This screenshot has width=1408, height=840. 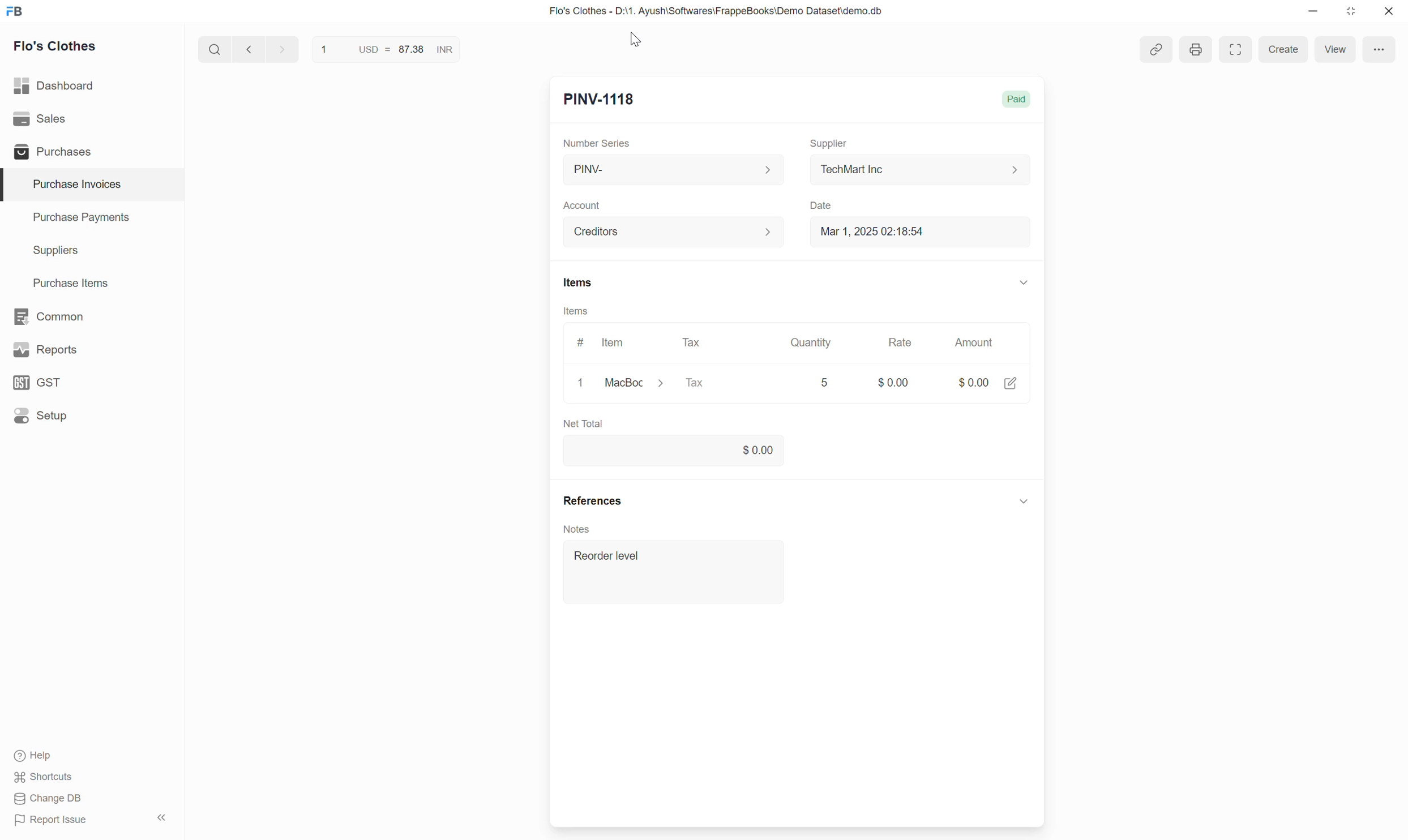 What do you see at coordinates (92, 251) in the screenshot?
I see `Suppliers` at bounding box center [92, 251].